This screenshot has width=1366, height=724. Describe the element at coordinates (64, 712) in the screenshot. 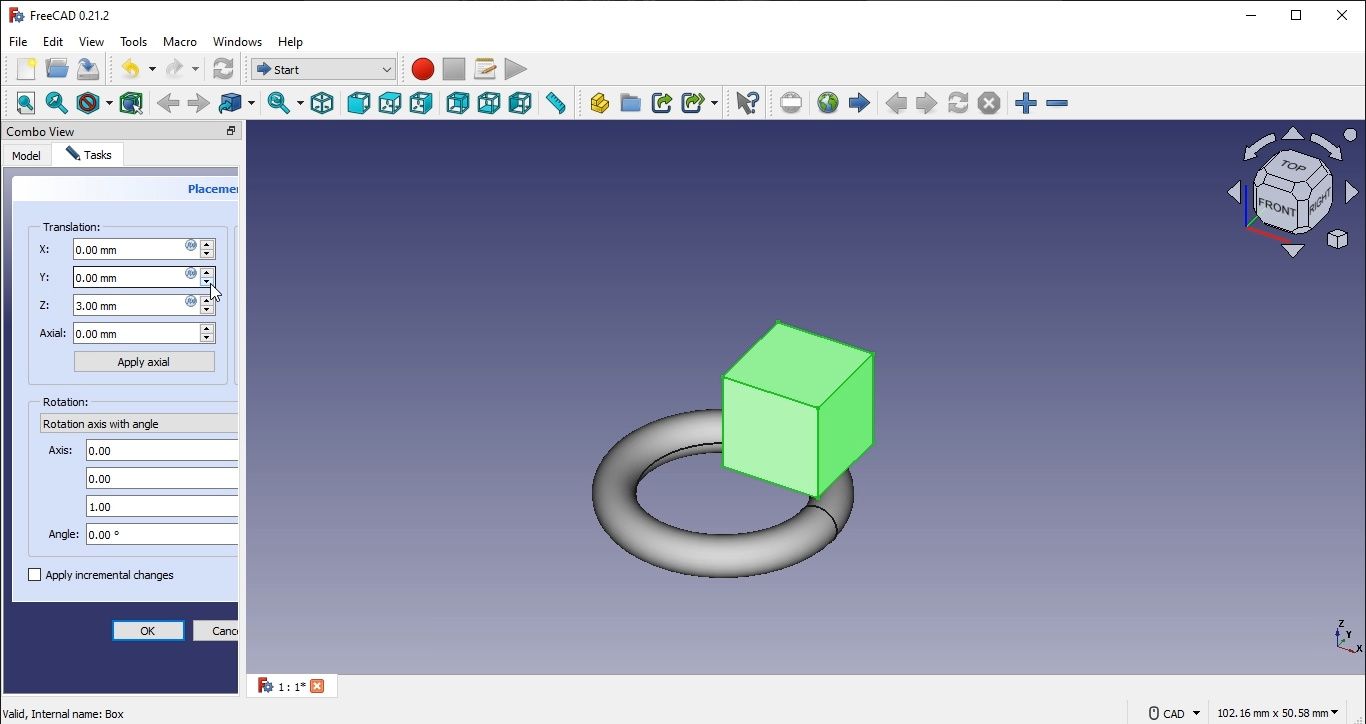

I see `valid Internal name: Box` at that location.